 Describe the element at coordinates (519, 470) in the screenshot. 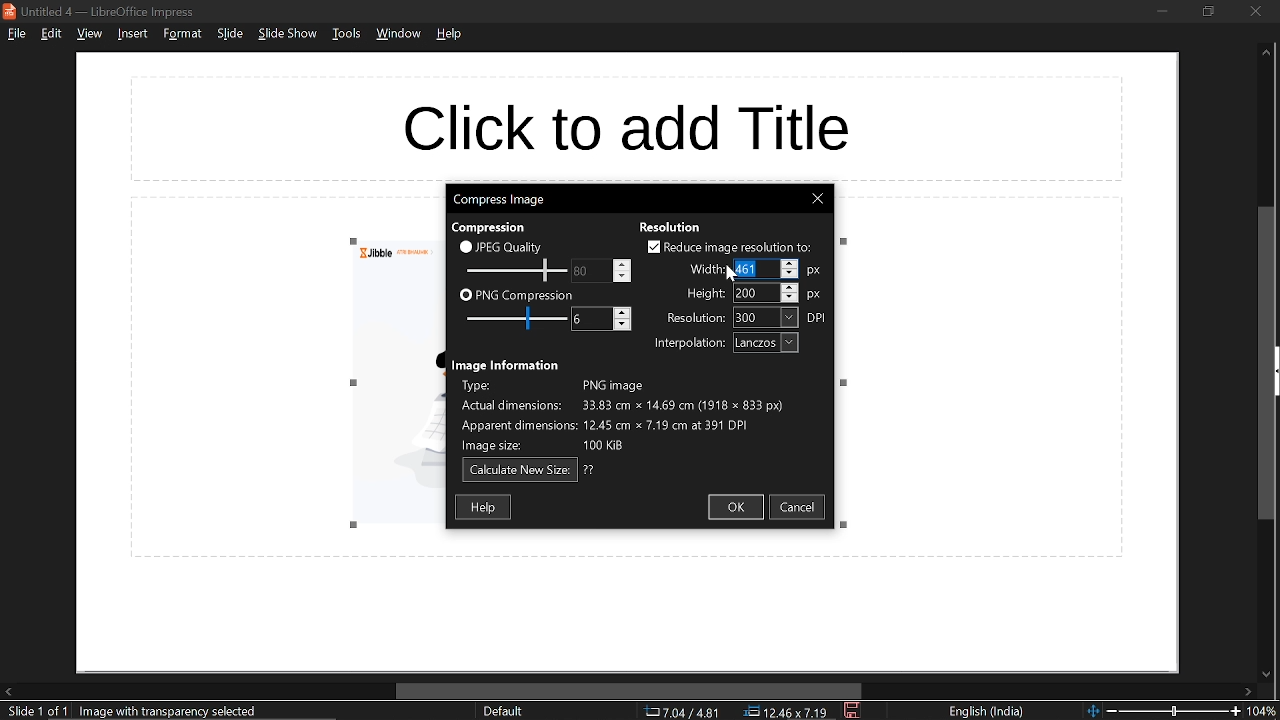

I see `calculate new size` at that location.